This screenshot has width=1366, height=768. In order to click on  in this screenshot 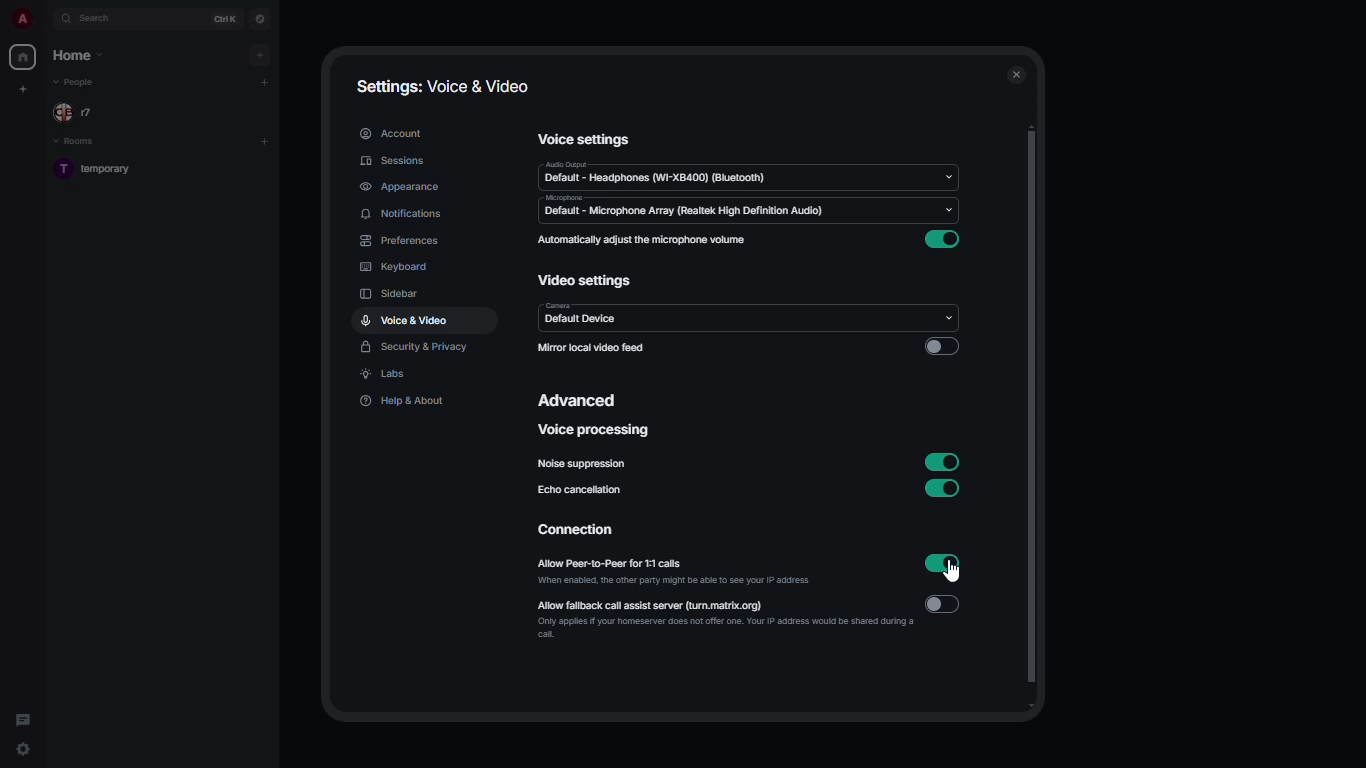, I will do `click(404, 215)`.